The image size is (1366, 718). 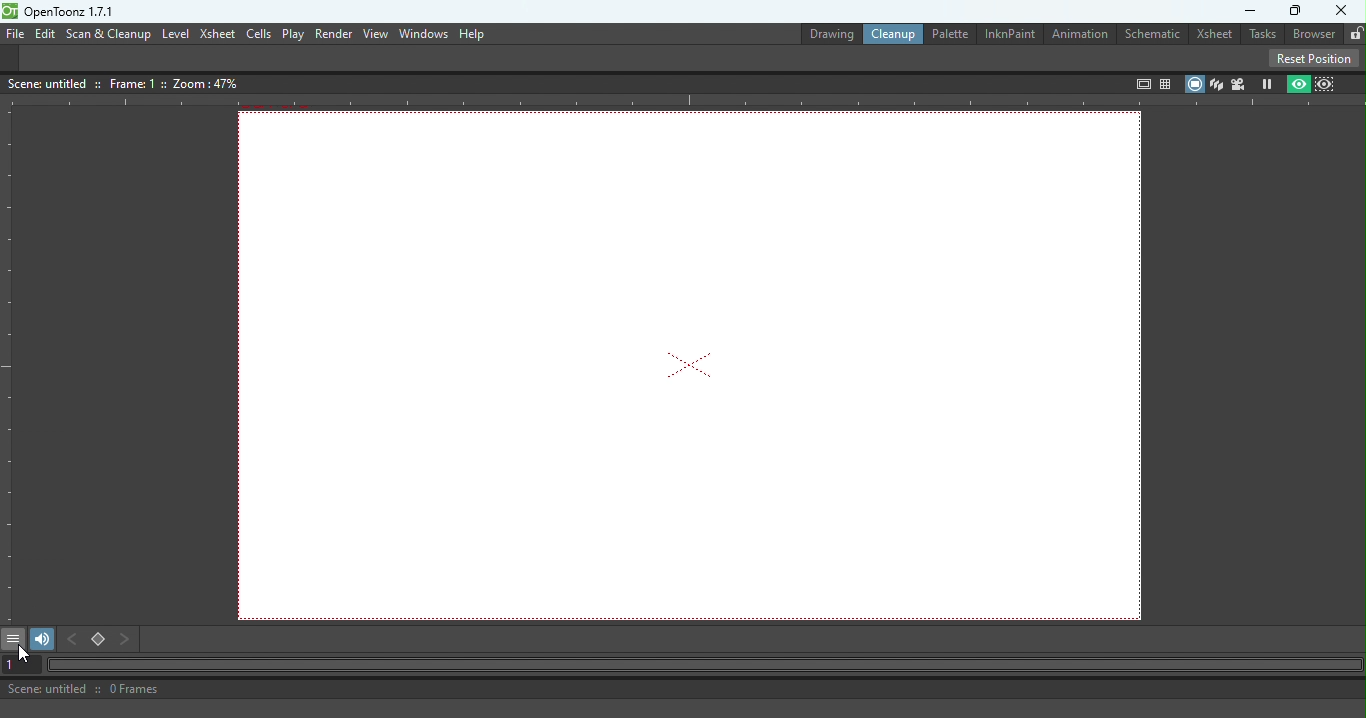 What do you see at coordinates (1317, 57) in the screenshot?
I see `Reset position` at bounding box center [1317, 57].